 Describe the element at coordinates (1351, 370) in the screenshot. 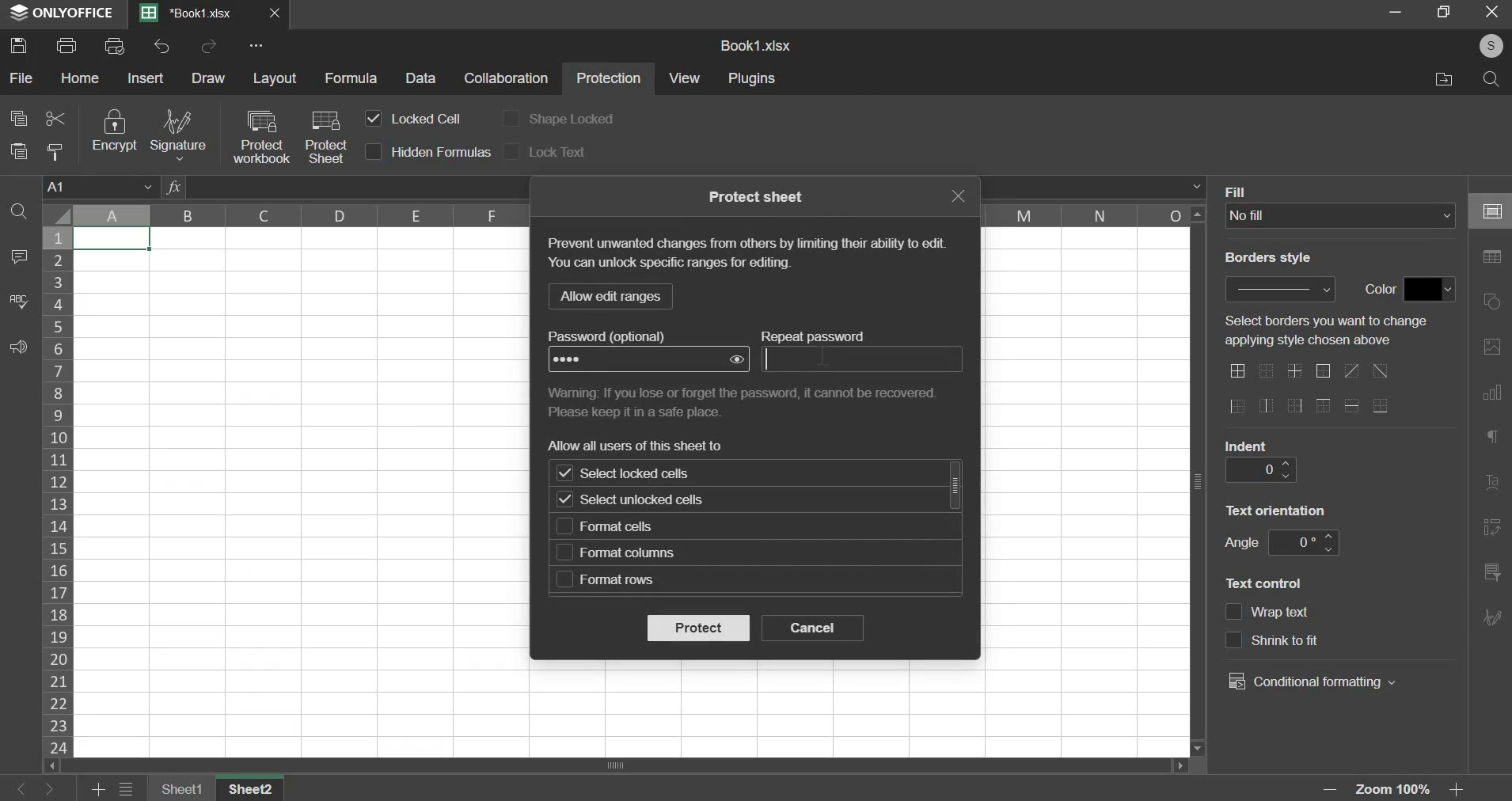

I see `border options` at that location.